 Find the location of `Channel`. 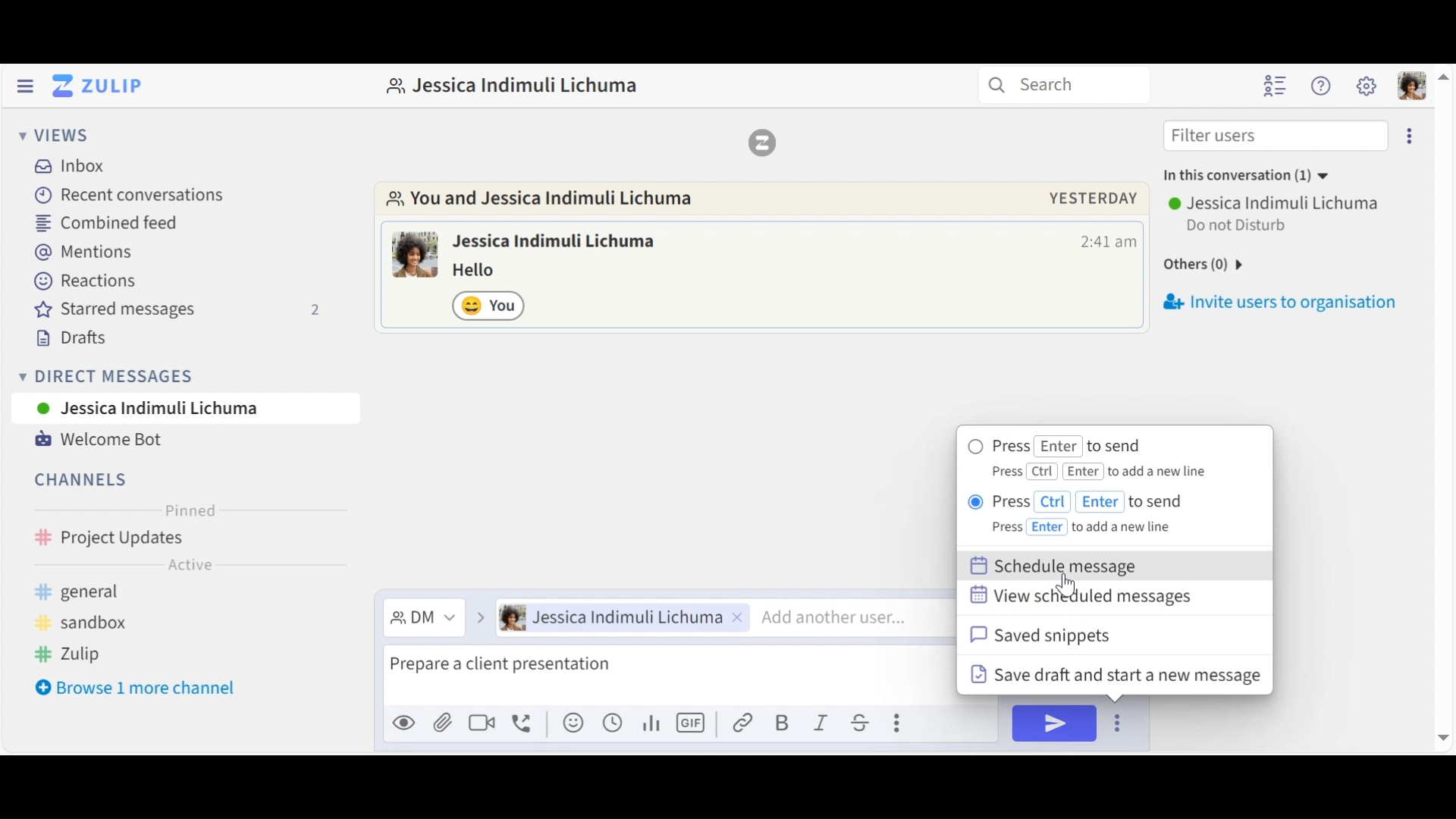

Channel is located at coordinates (185, 539).